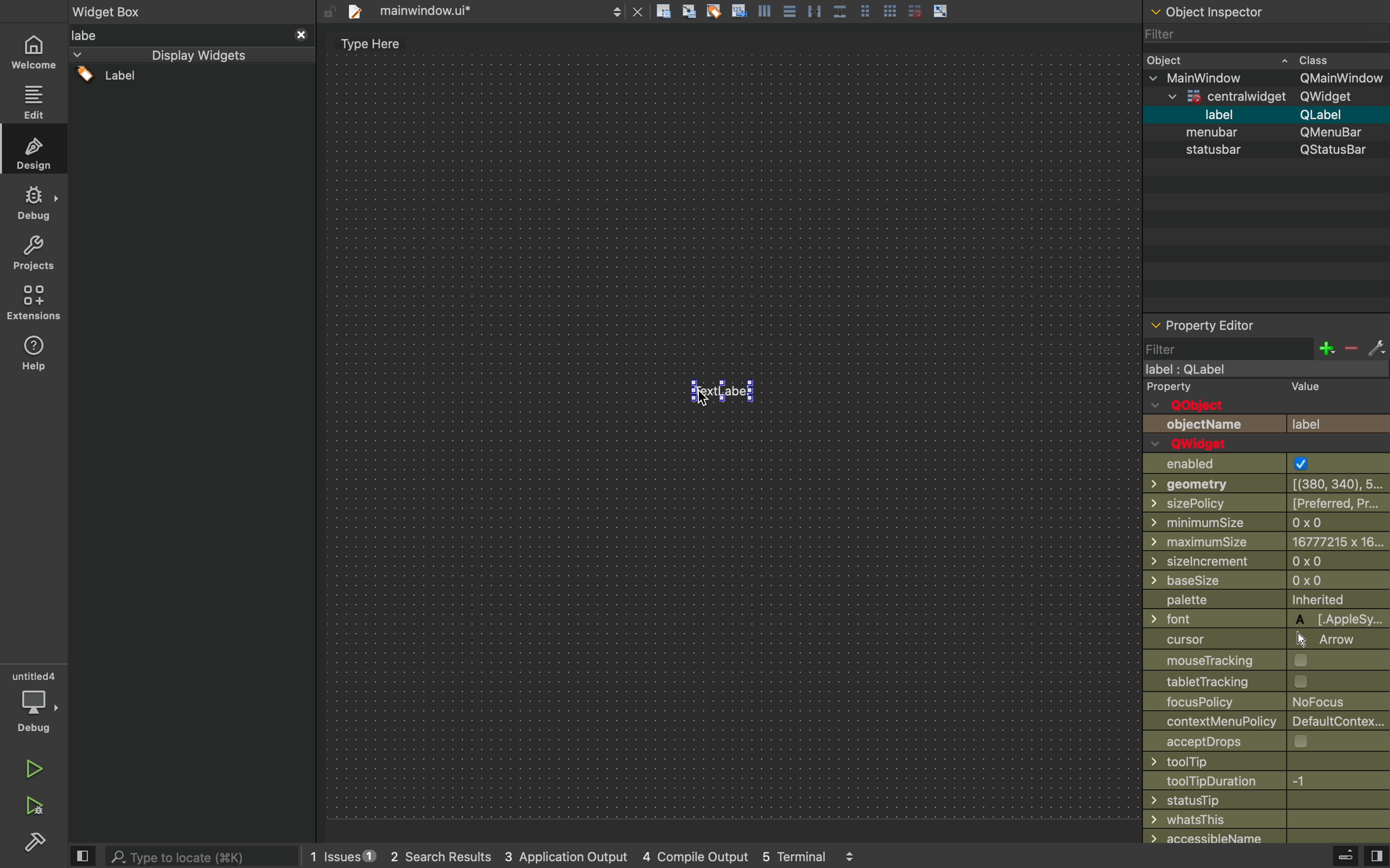 The width and height of the screenshot is (1390, 868). I want to click on debug, so click(33, 204).